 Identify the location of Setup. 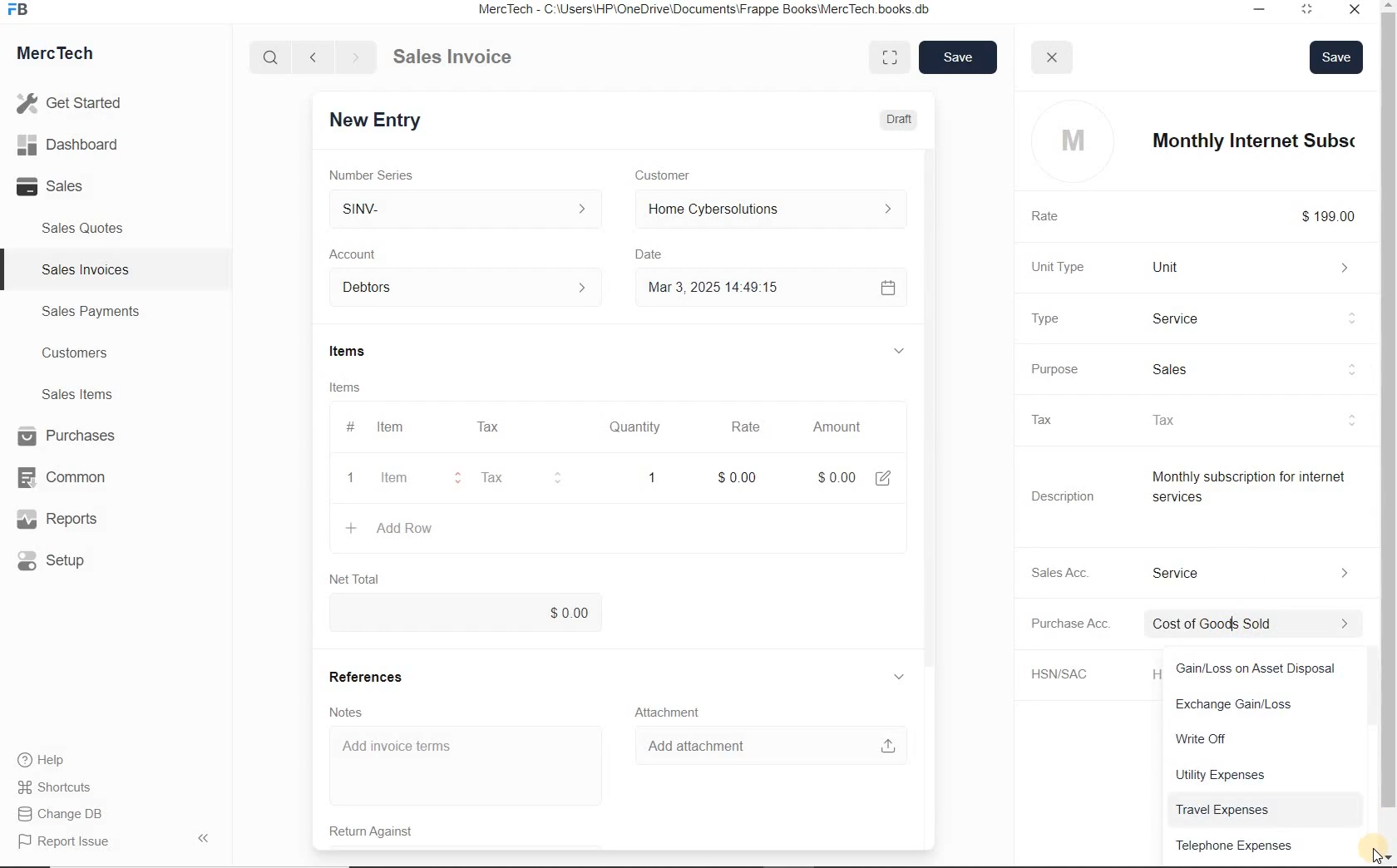
(70, 560).